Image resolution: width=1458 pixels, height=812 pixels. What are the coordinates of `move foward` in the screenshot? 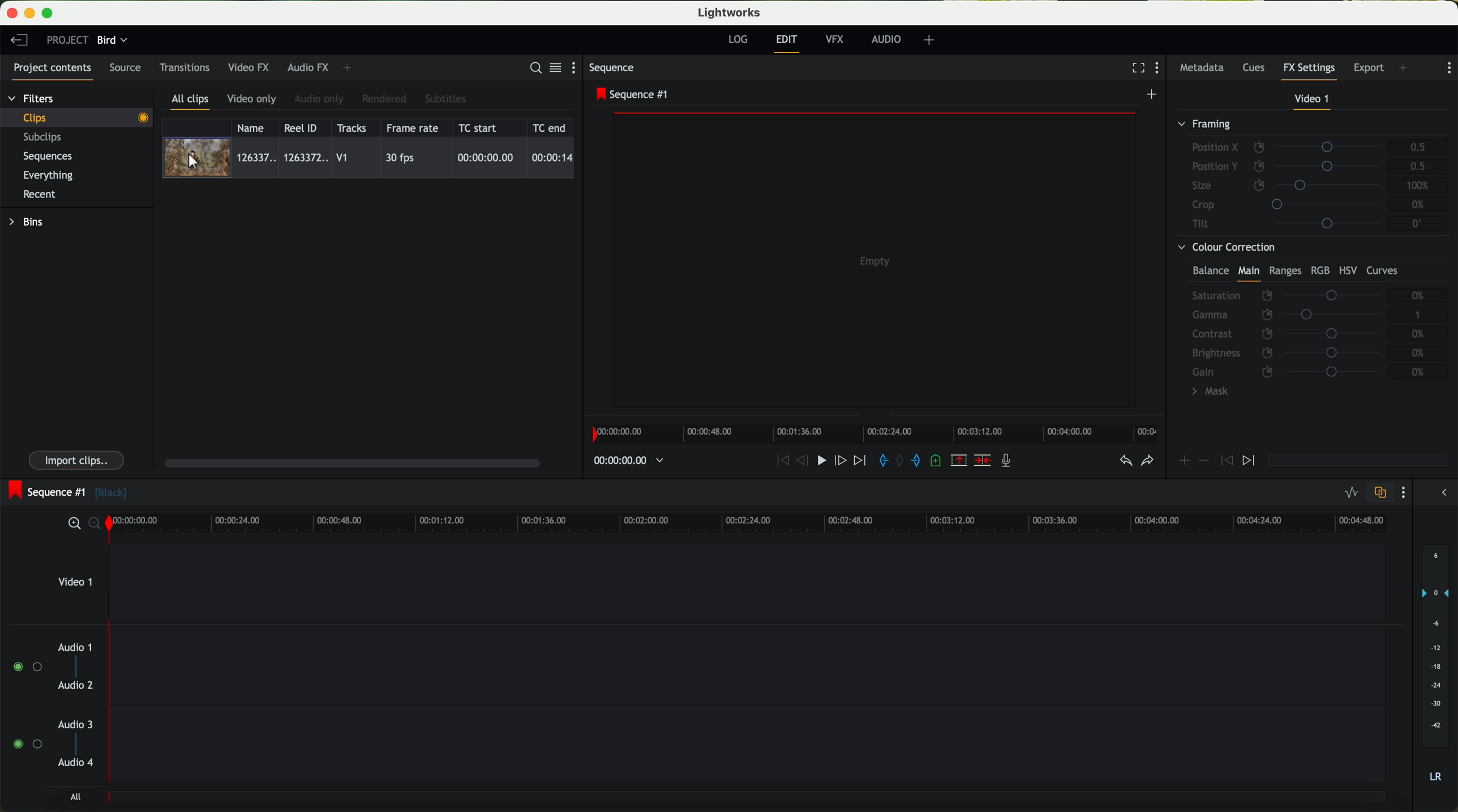 It's located at (859, 461).